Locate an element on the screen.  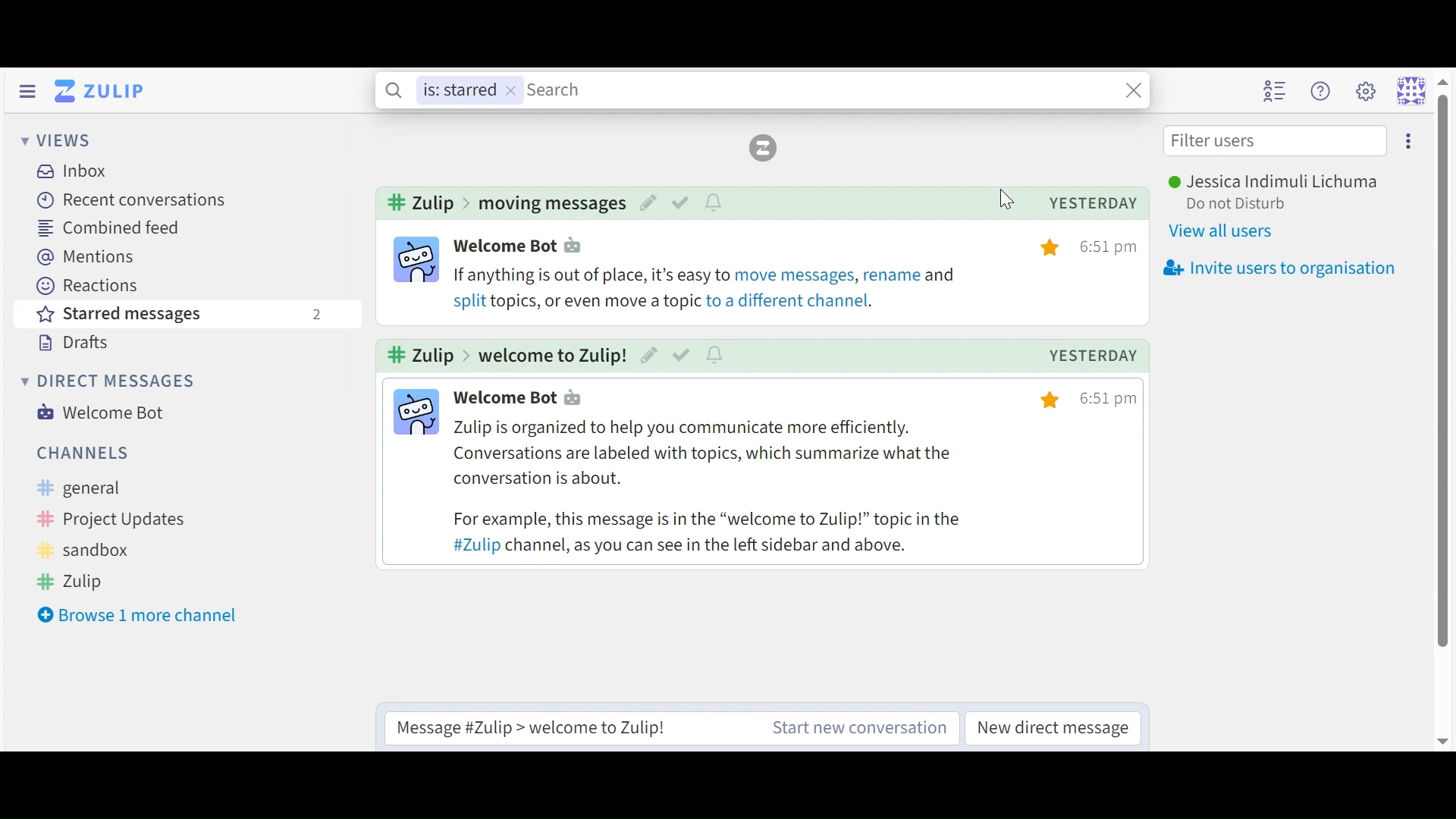
Up is located at coordinates (1442, 83).